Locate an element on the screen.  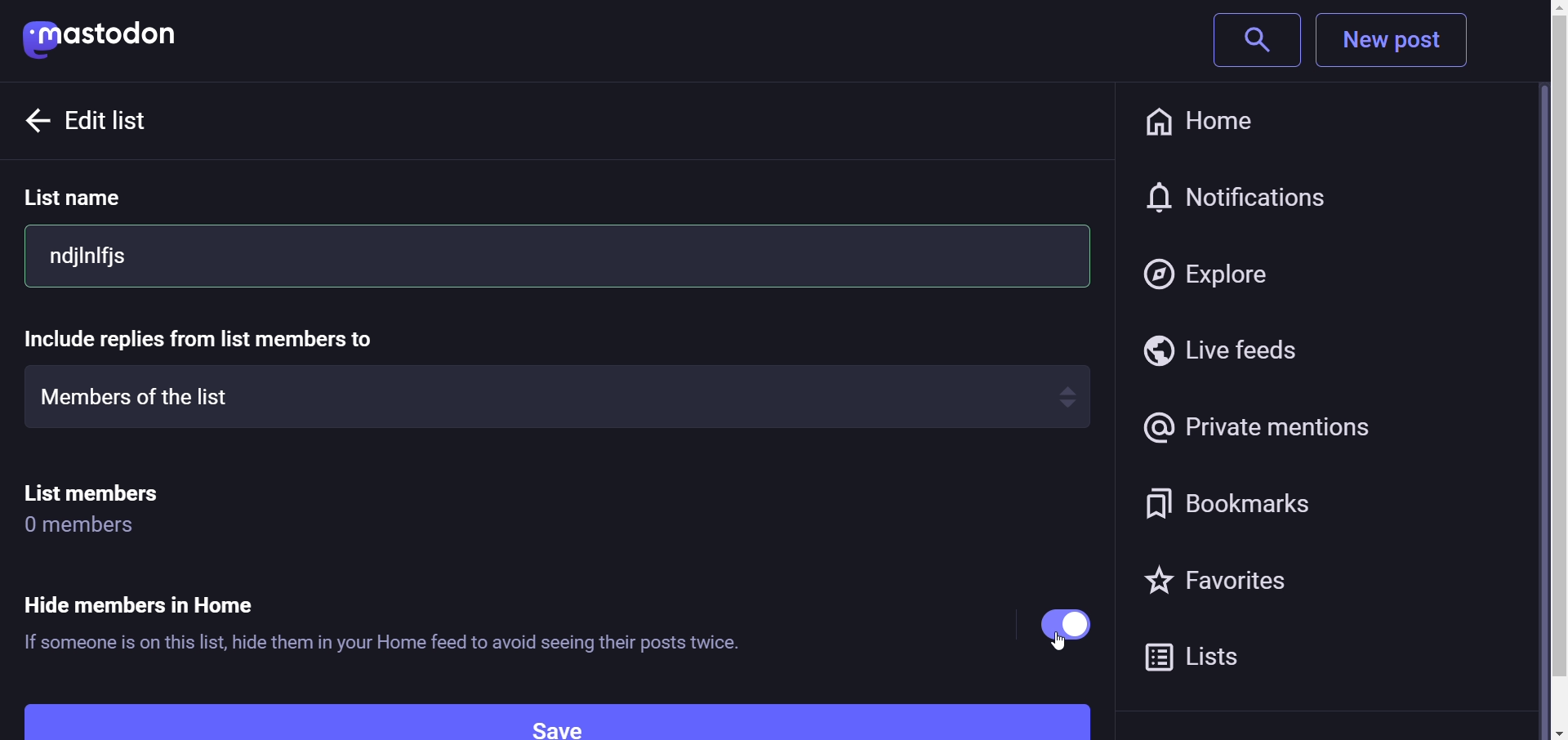
cursor is located at coordinates (1045, 653).